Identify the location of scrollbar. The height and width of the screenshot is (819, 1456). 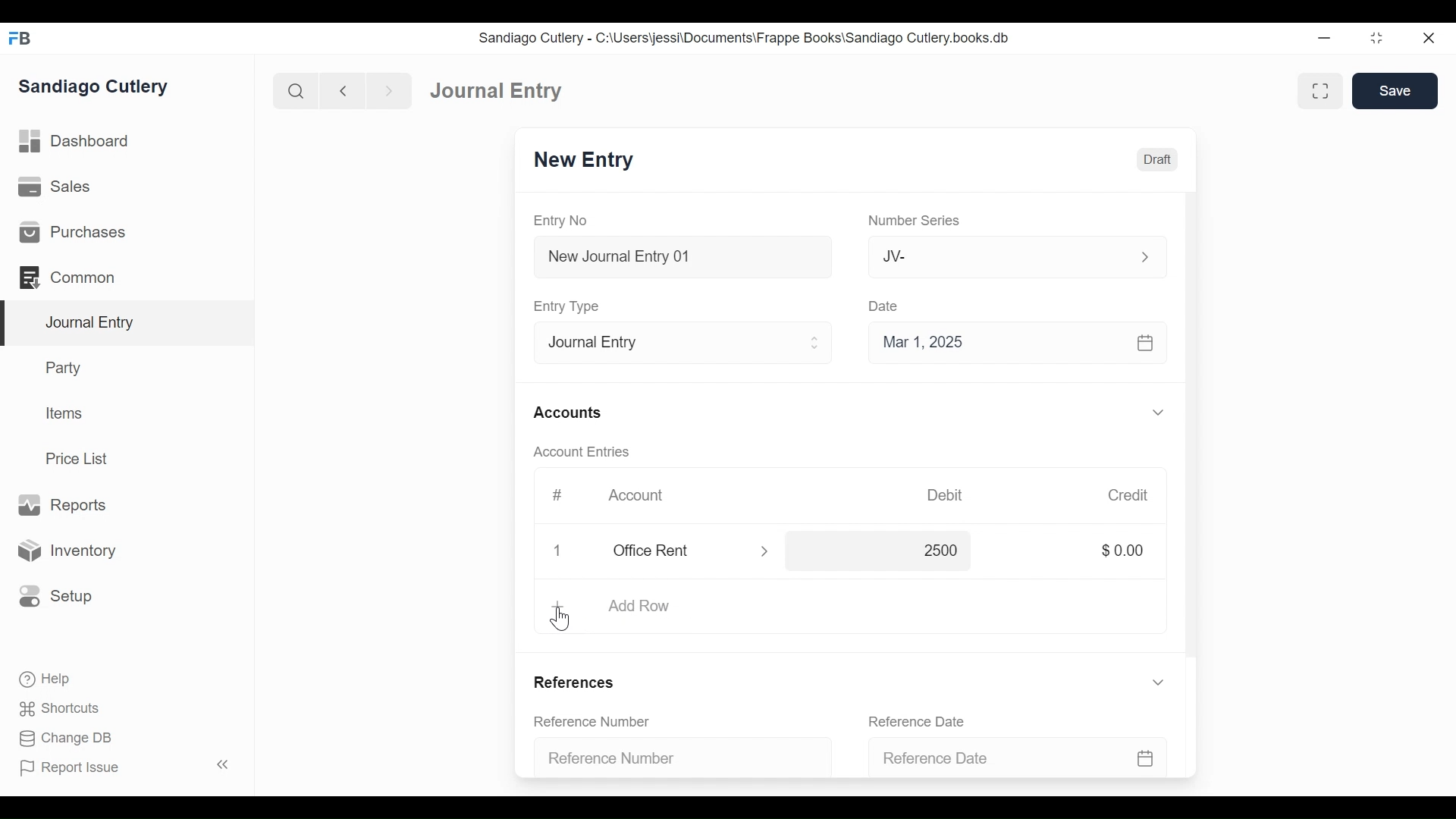
(1190, 426).